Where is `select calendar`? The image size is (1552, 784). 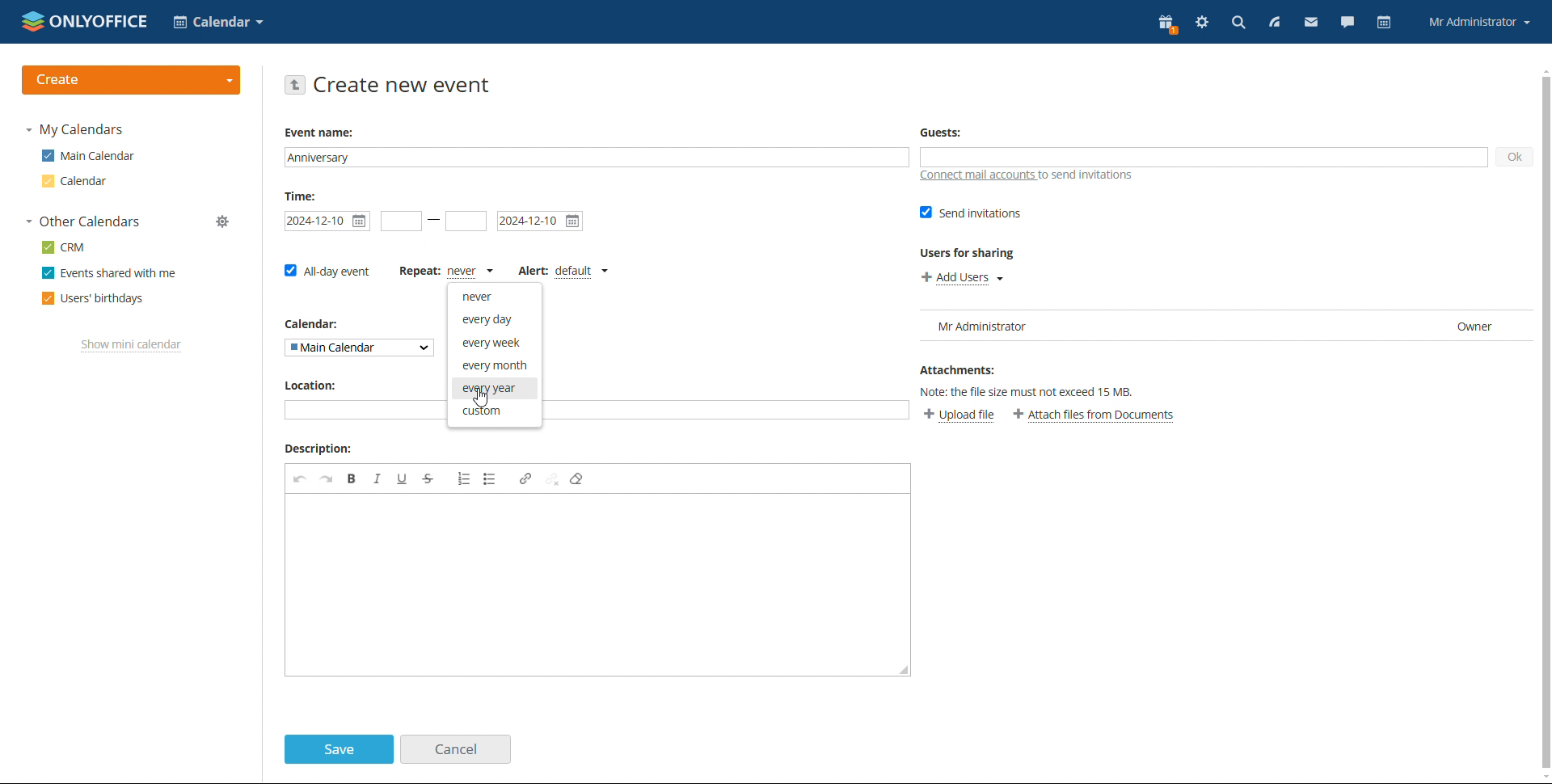
select calendar is located at coordinates (361, 348).